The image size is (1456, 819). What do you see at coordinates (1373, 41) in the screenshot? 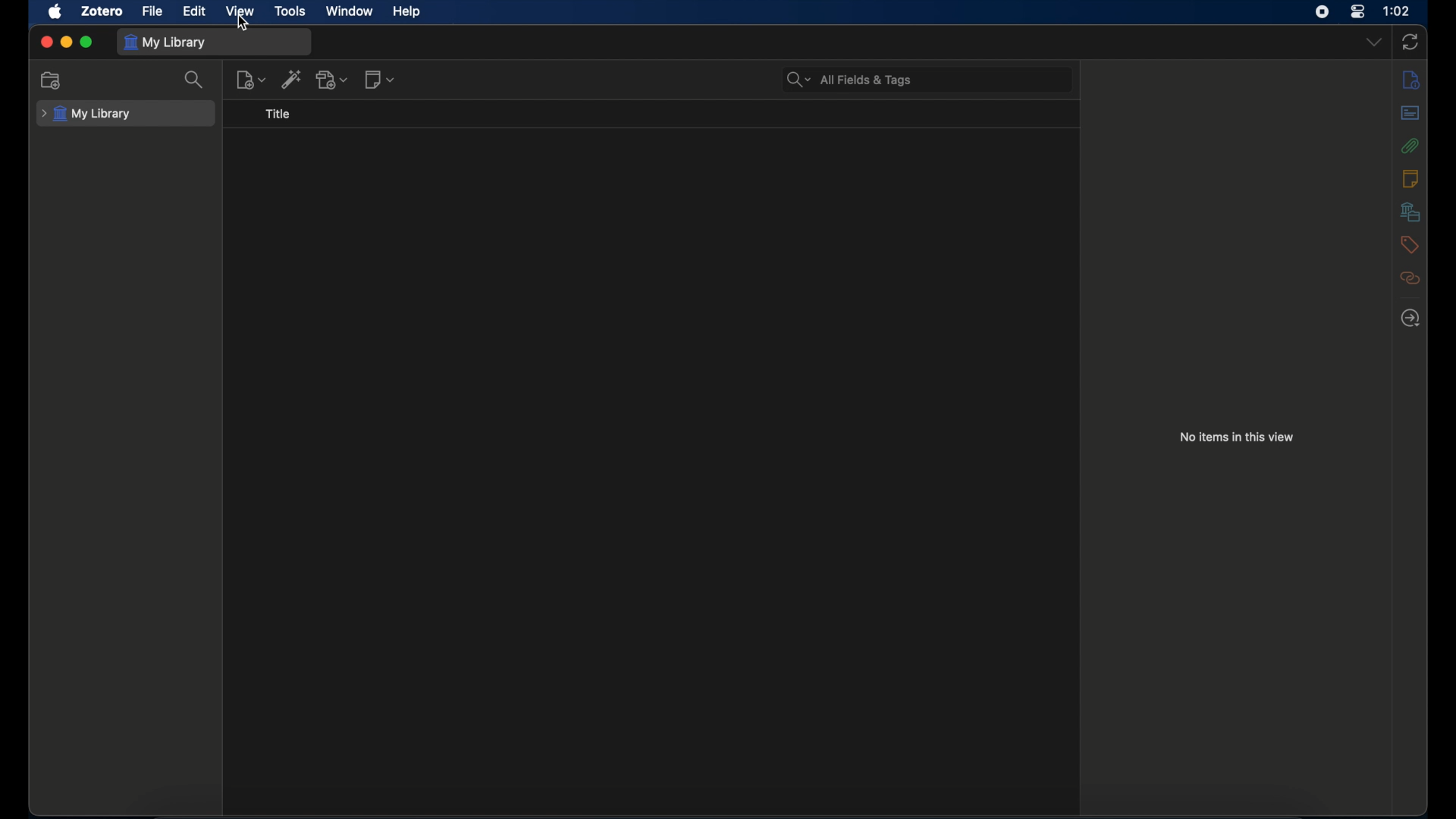
I see `dropdown` at bounding box center [1373, 41].